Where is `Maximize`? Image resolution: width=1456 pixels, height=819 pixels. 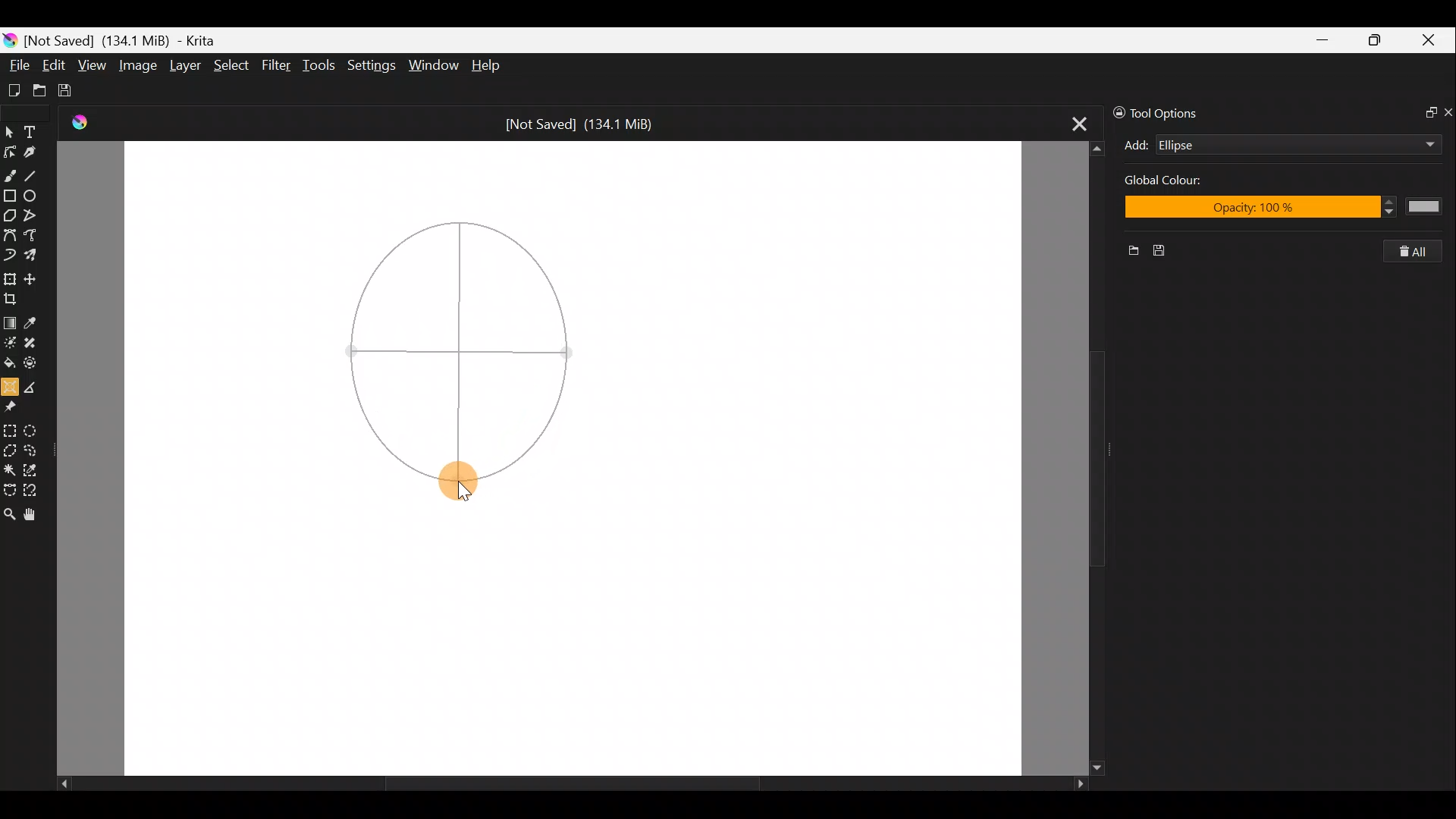
Maximize is located at coordinates (1379, 39).